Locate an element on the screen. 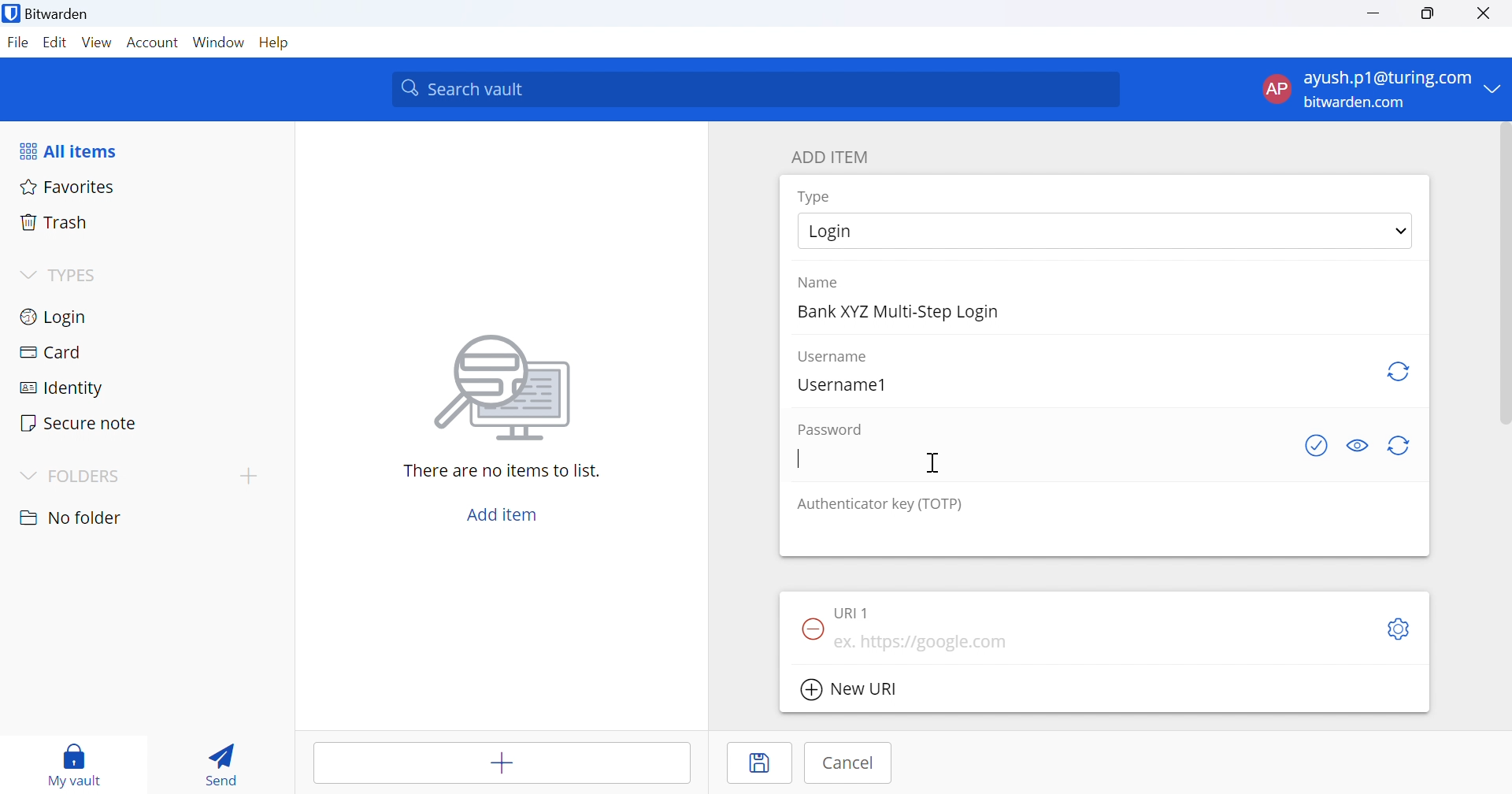 This screenshot has width=1512, height=794. Trash is located at coordinates (54, 221).